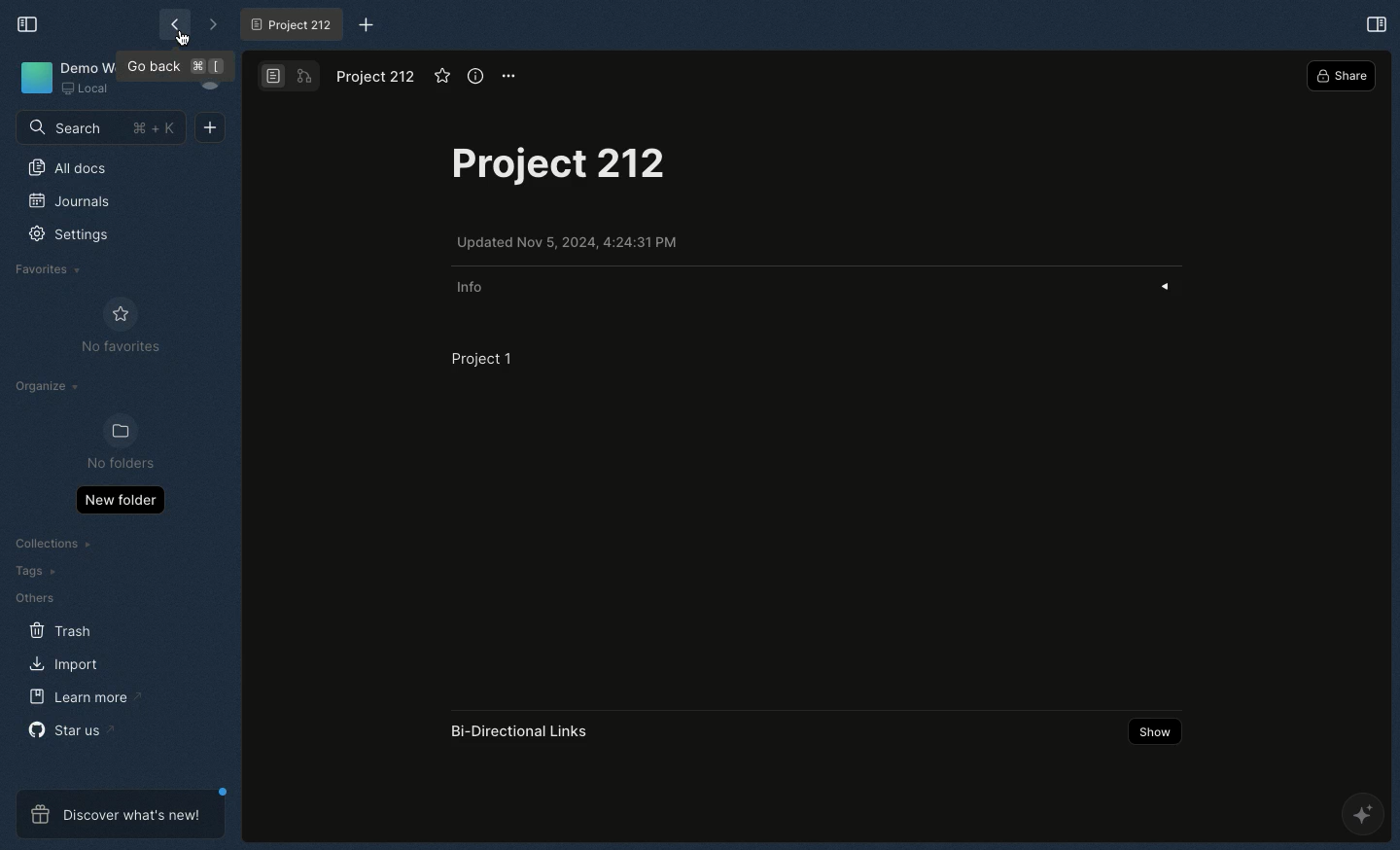  What do you see at coordinates (186, 39) in the screenshot?
I see `cursor` at bounding box center [186, 39].